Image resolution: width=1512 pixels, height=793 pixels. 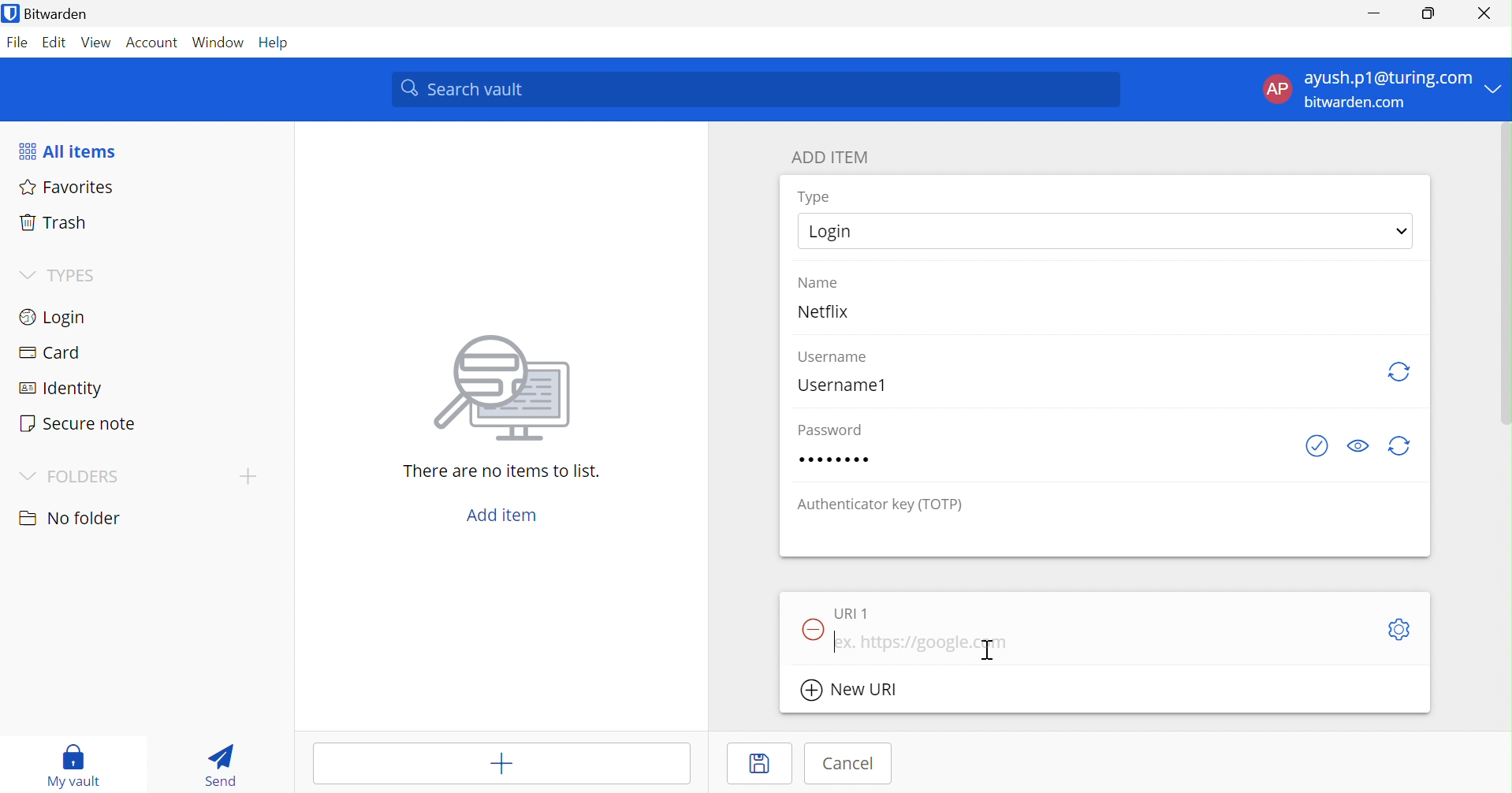 What do you see at coordinates (851, 689) in the screenshot?
I see `New URl` at bounding box center [851, 689].